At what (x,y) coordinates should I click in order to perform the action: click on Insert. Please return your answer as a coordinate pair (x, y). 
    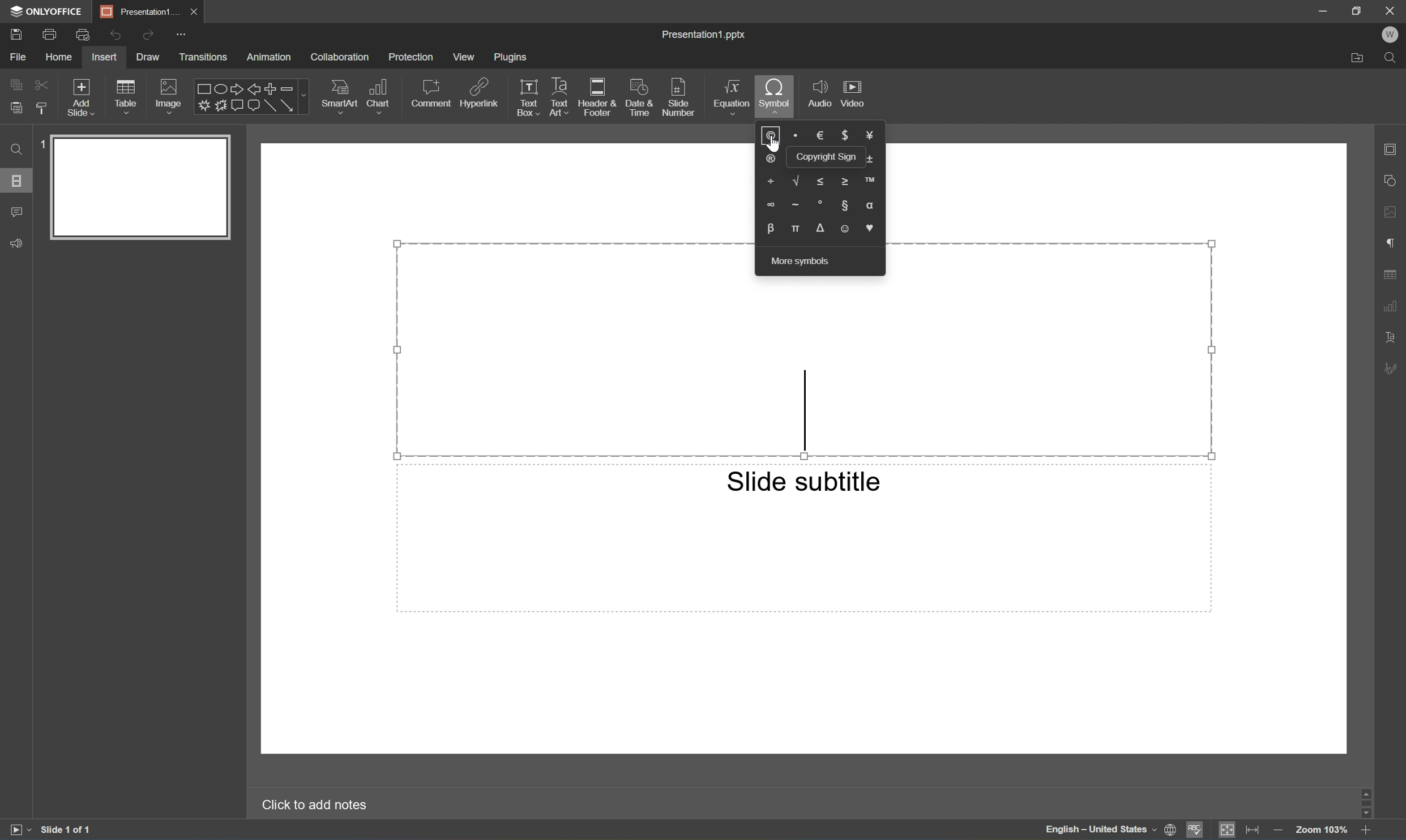
    Looking at the image, I should click on (105, 57).